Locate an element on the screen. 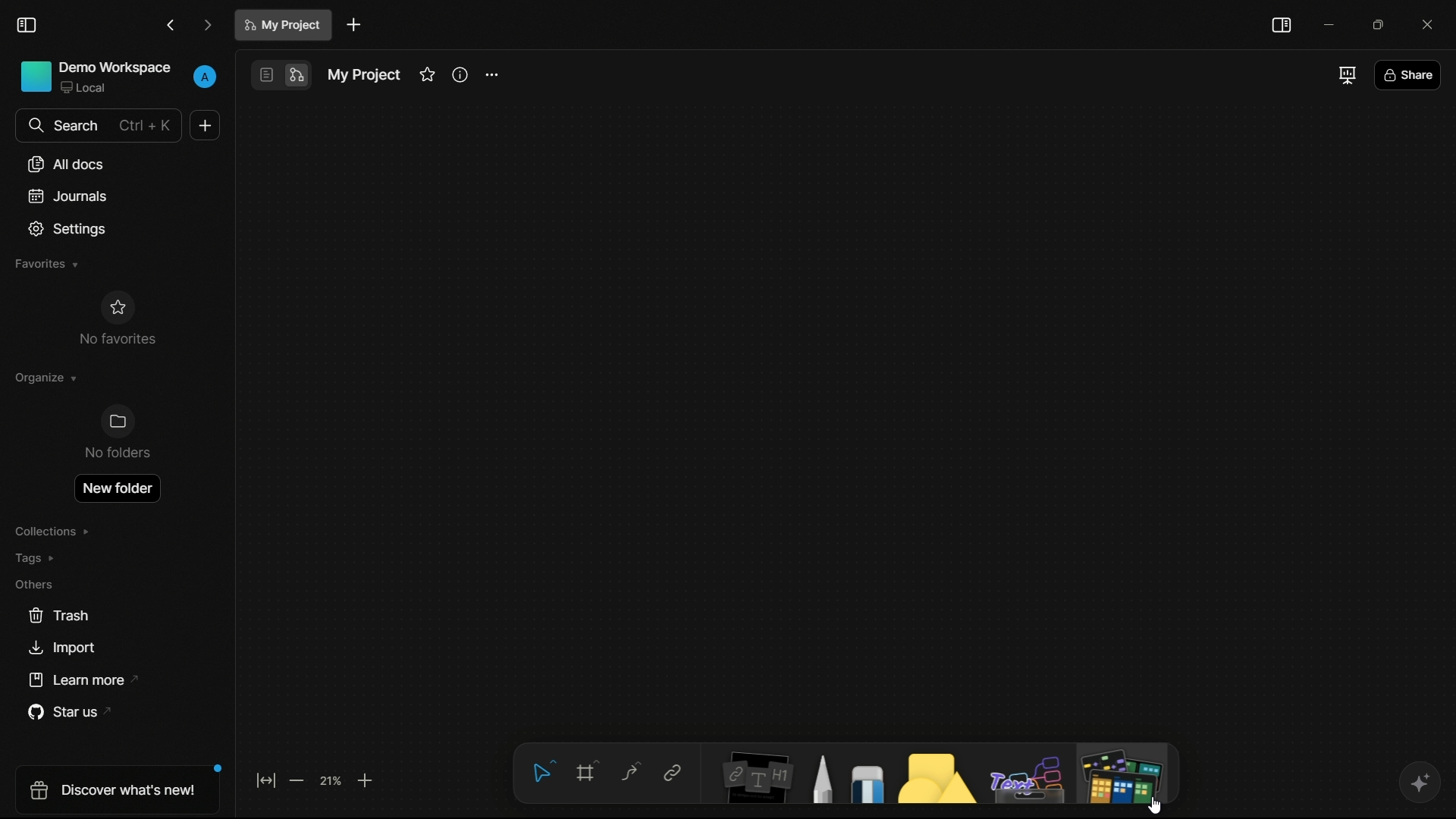 The width and height of the screenshot is (1456, 819). learn more is located at coordinates (74, 679).